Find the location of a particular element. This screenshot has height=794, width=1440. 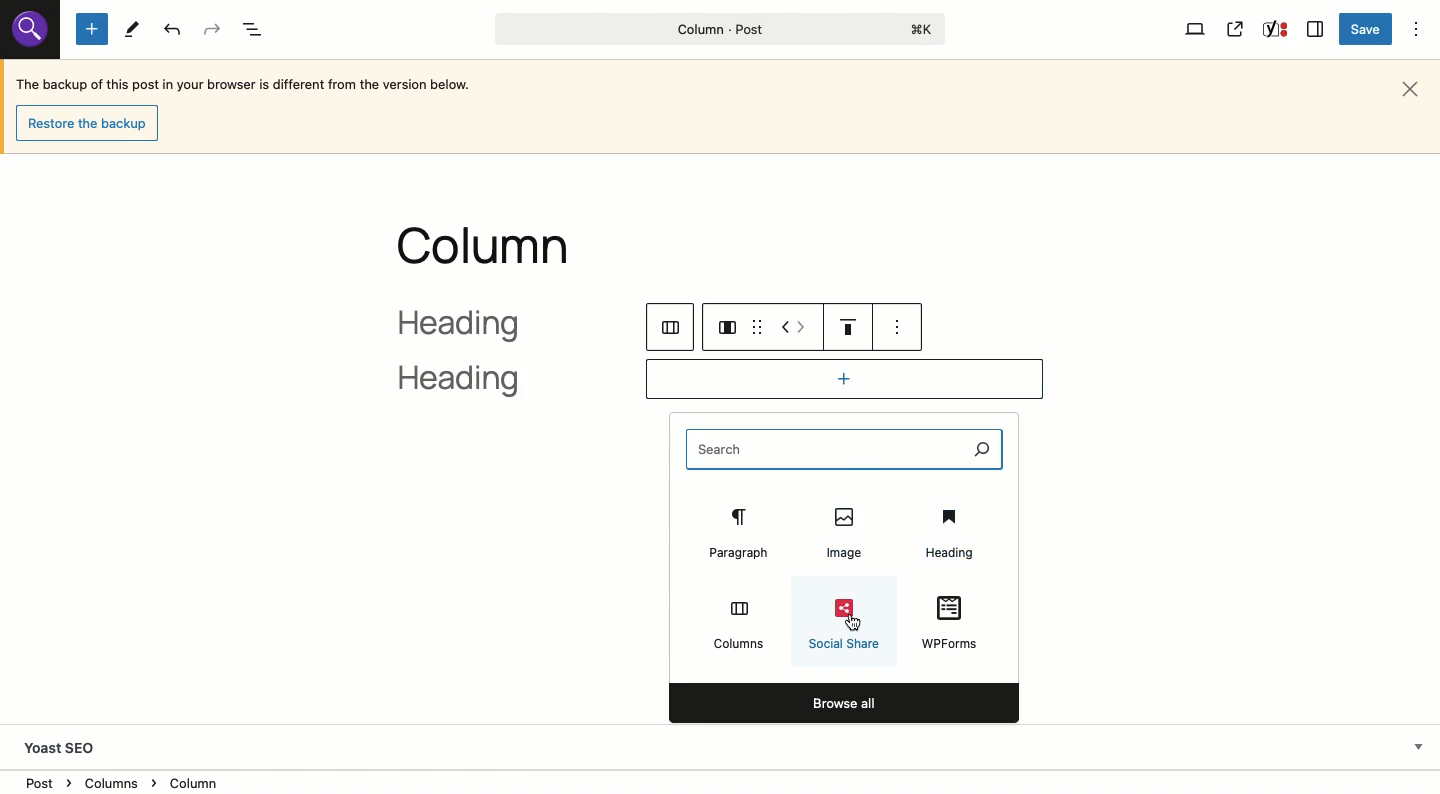

columns is located at coordinates (666, 325).